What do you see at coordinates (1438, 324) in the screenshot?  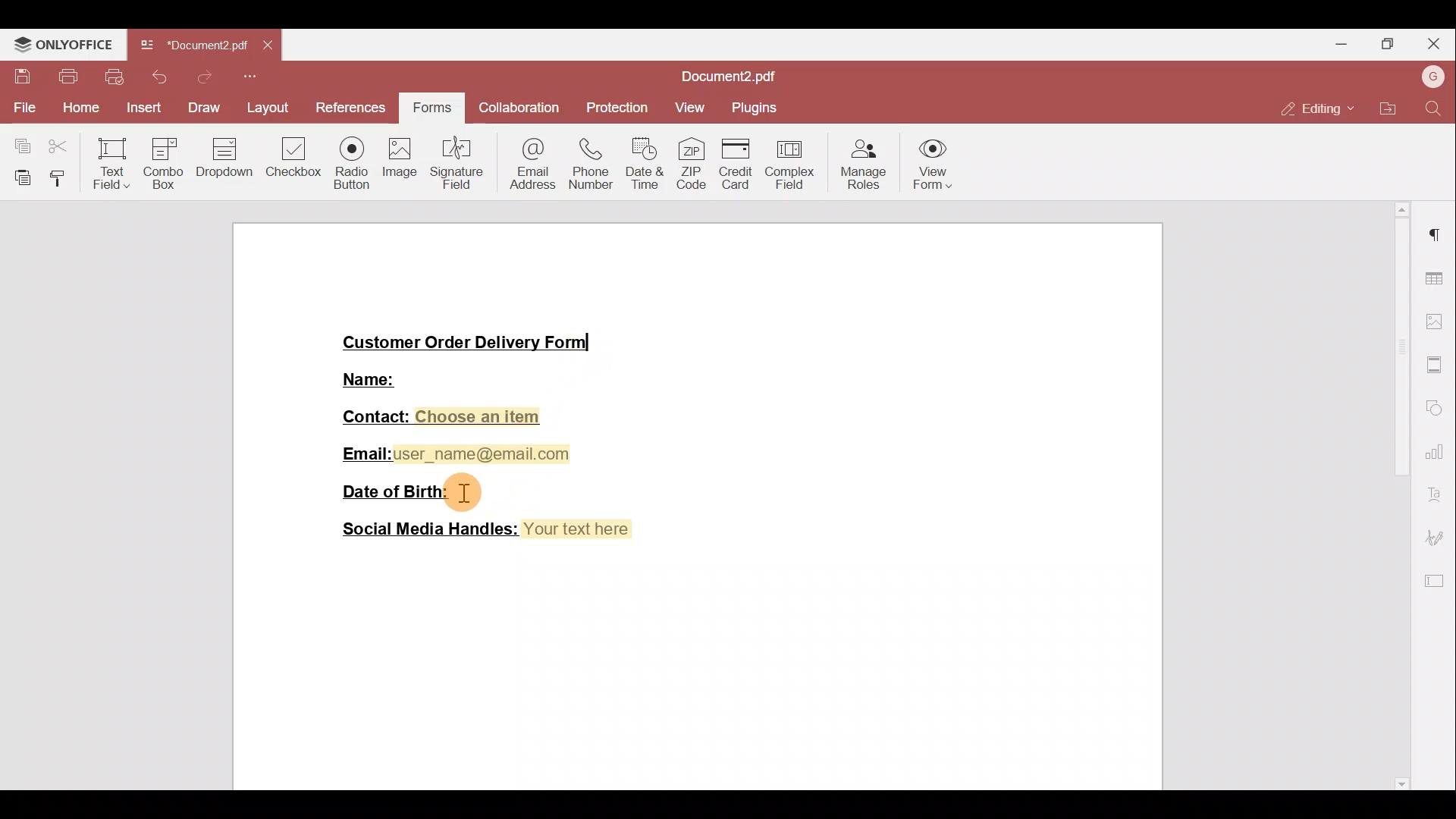 I see `Image settings` at bounding box center [1438, 324].